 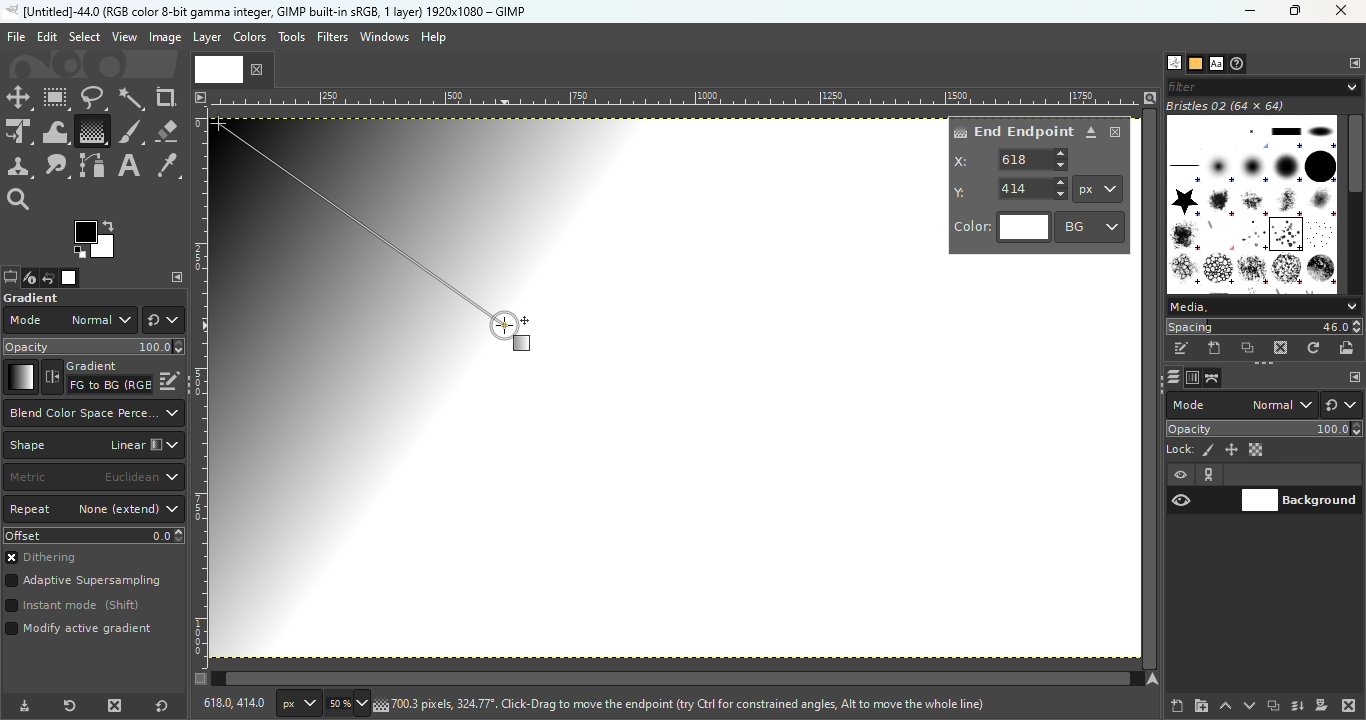 I want to click on Zoom tool, so click(x=20, y=197).